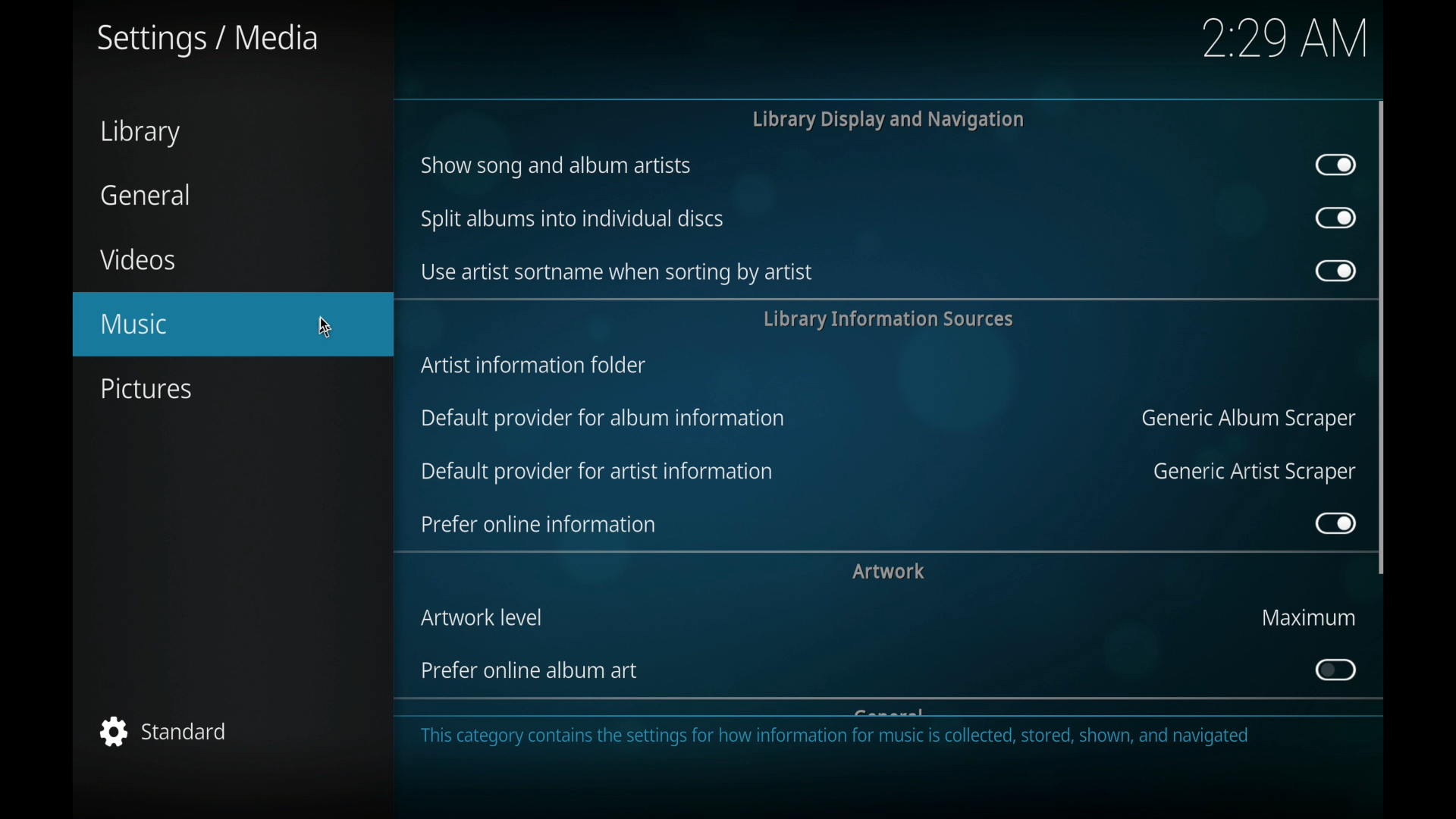 Image resolution: width=1456 pixels, height=819 pixels. What do you see at coordinates (1382, 337) in the screenshot?
I see `scroll box` at bounding box center [1382, 337].